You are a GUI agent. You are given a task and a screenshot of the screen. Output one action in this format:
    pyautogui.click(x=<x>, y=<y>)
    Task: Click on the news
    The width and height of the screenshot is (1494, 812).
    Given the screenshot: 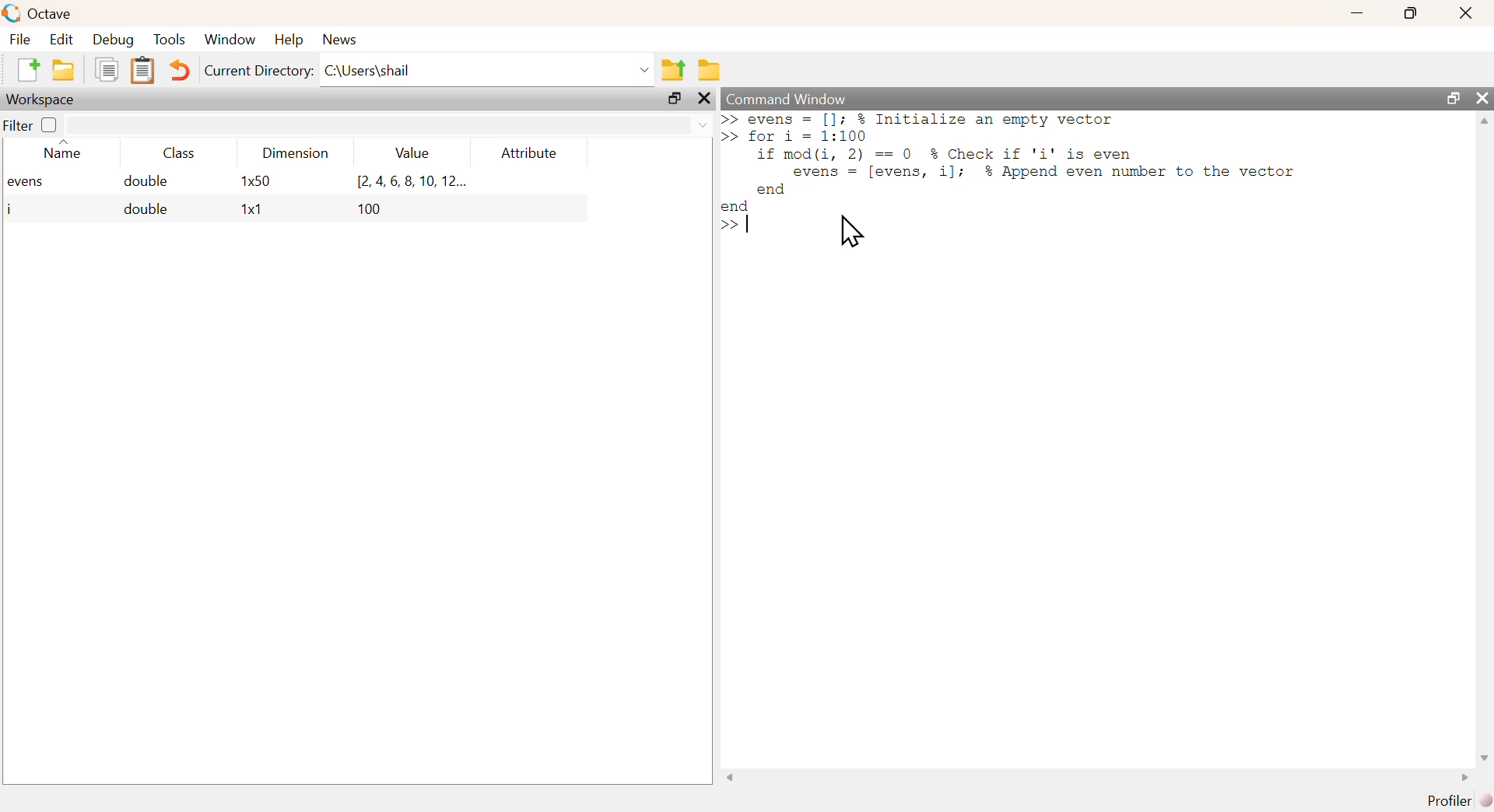 What is the action you would take?
    pyautogui.click(x=342, y=38)
    